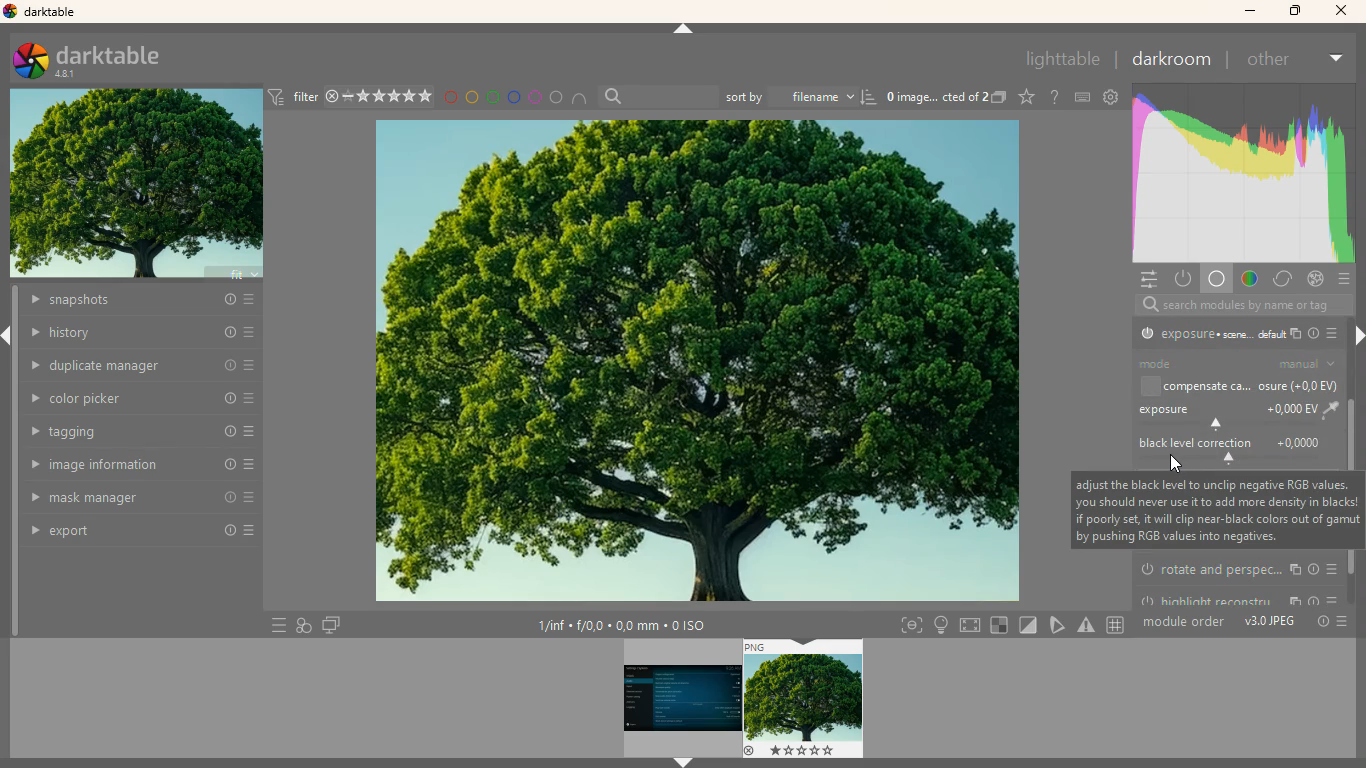 The image size is (1366, 768). Describe the element at coordinates (273, 624) in the screenshot. I see `more` at that location.